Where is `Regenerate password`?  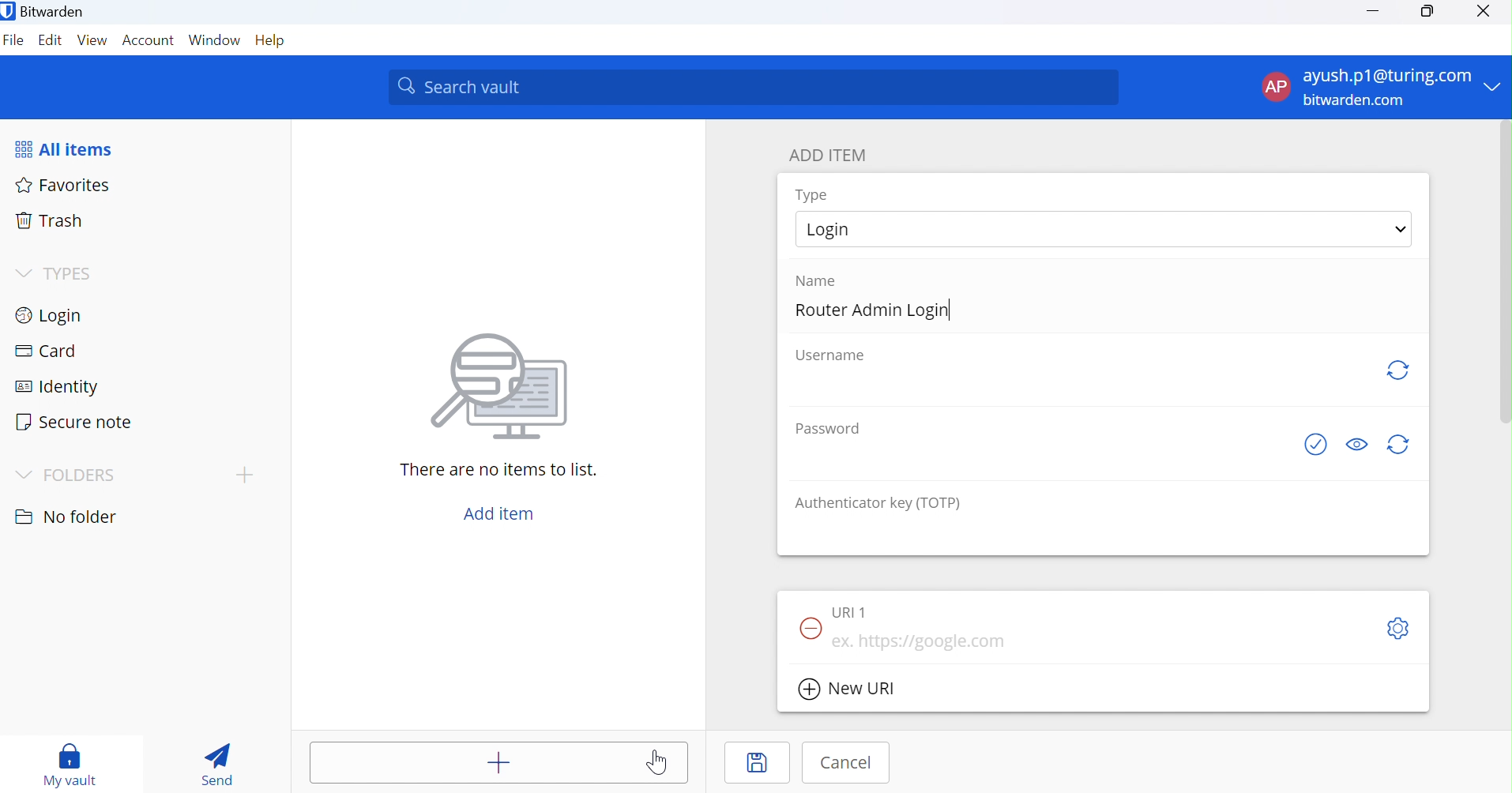
Regenerate password is located at coordinates (1401, 446).